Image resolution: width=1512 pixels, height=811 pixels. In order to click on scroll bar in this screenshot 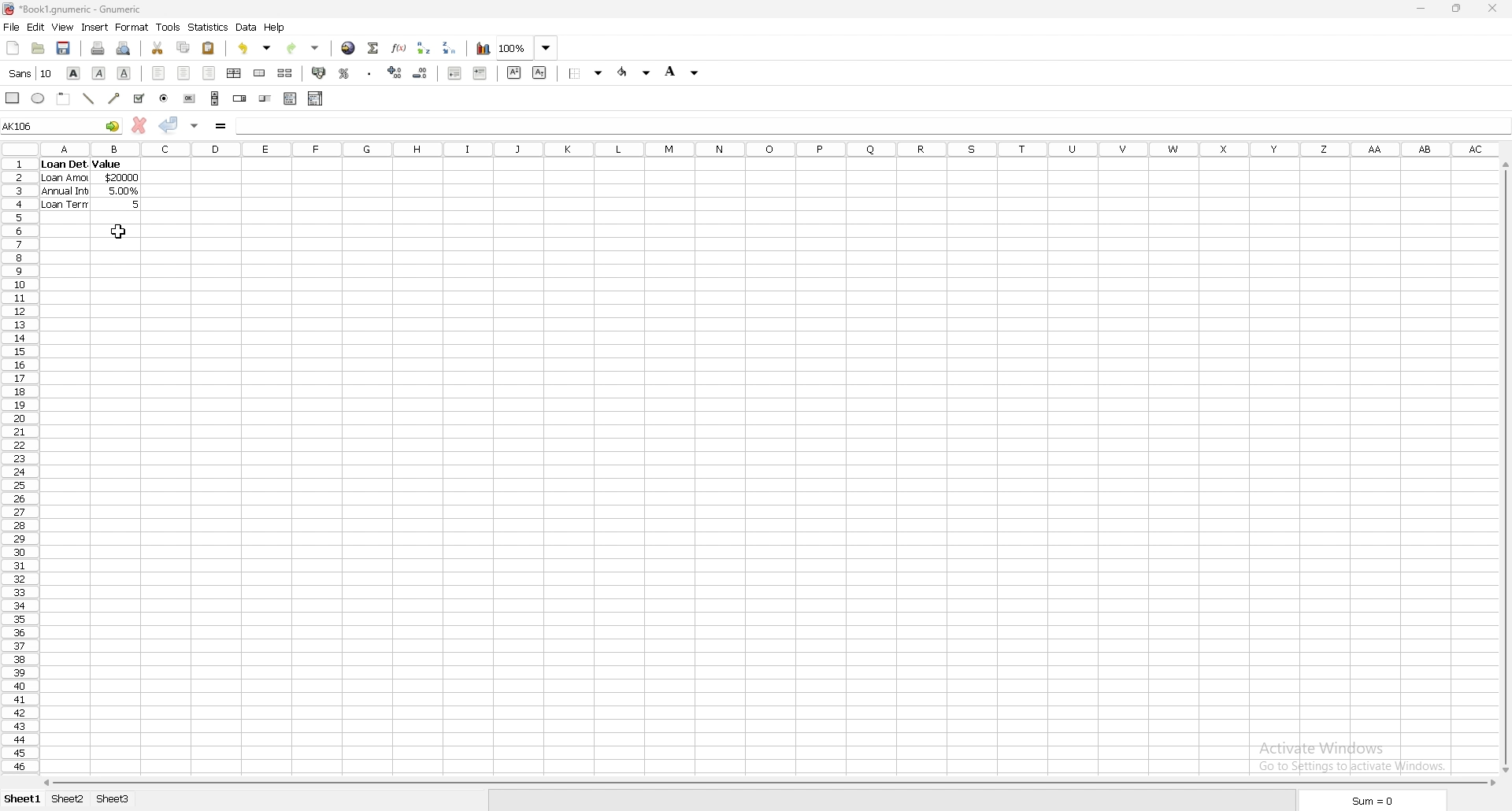, I will do `click(215, 98)`.